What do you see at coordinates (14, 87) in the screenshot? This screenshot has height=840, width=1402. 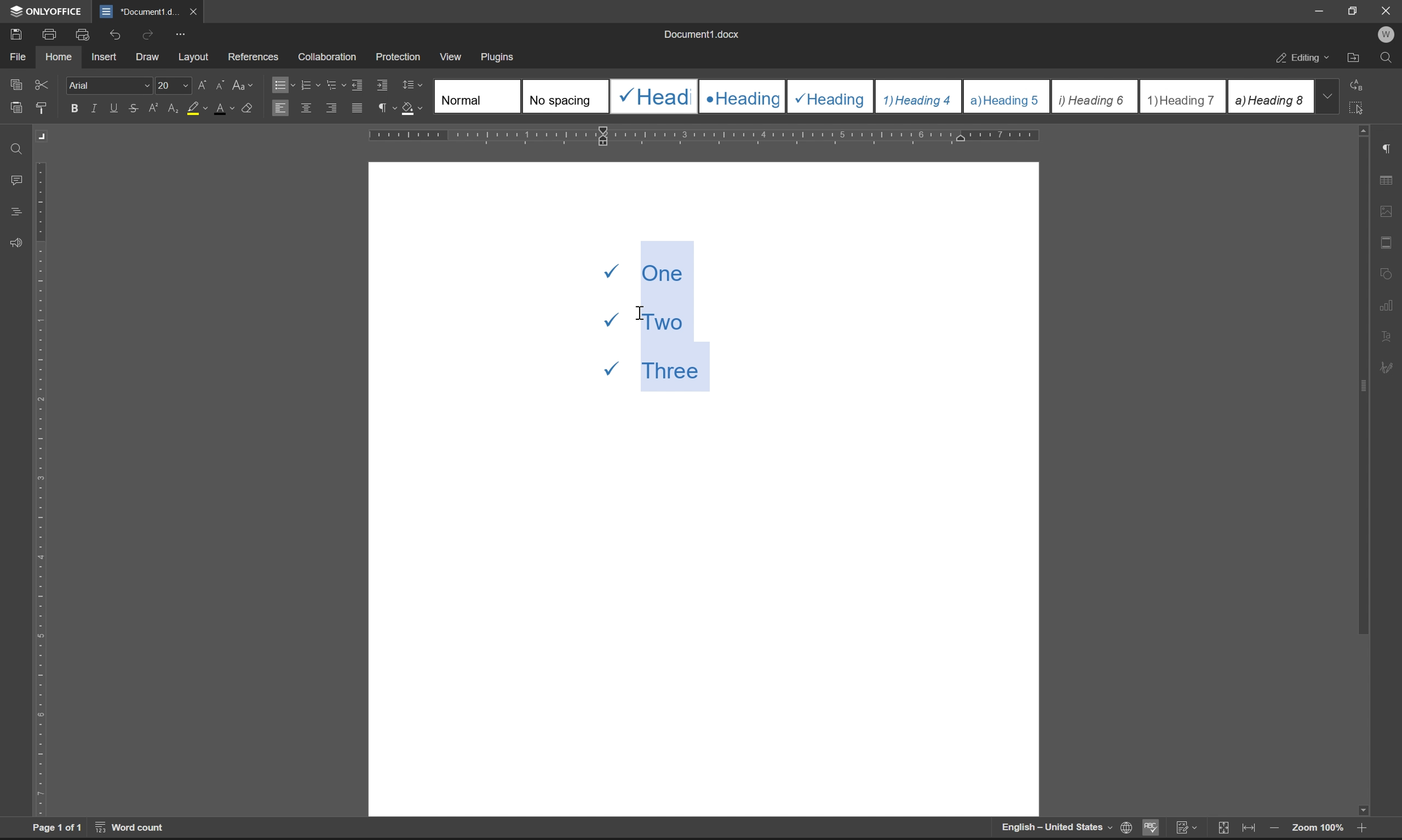 I see `caopy` at bounding box center [14, 87].